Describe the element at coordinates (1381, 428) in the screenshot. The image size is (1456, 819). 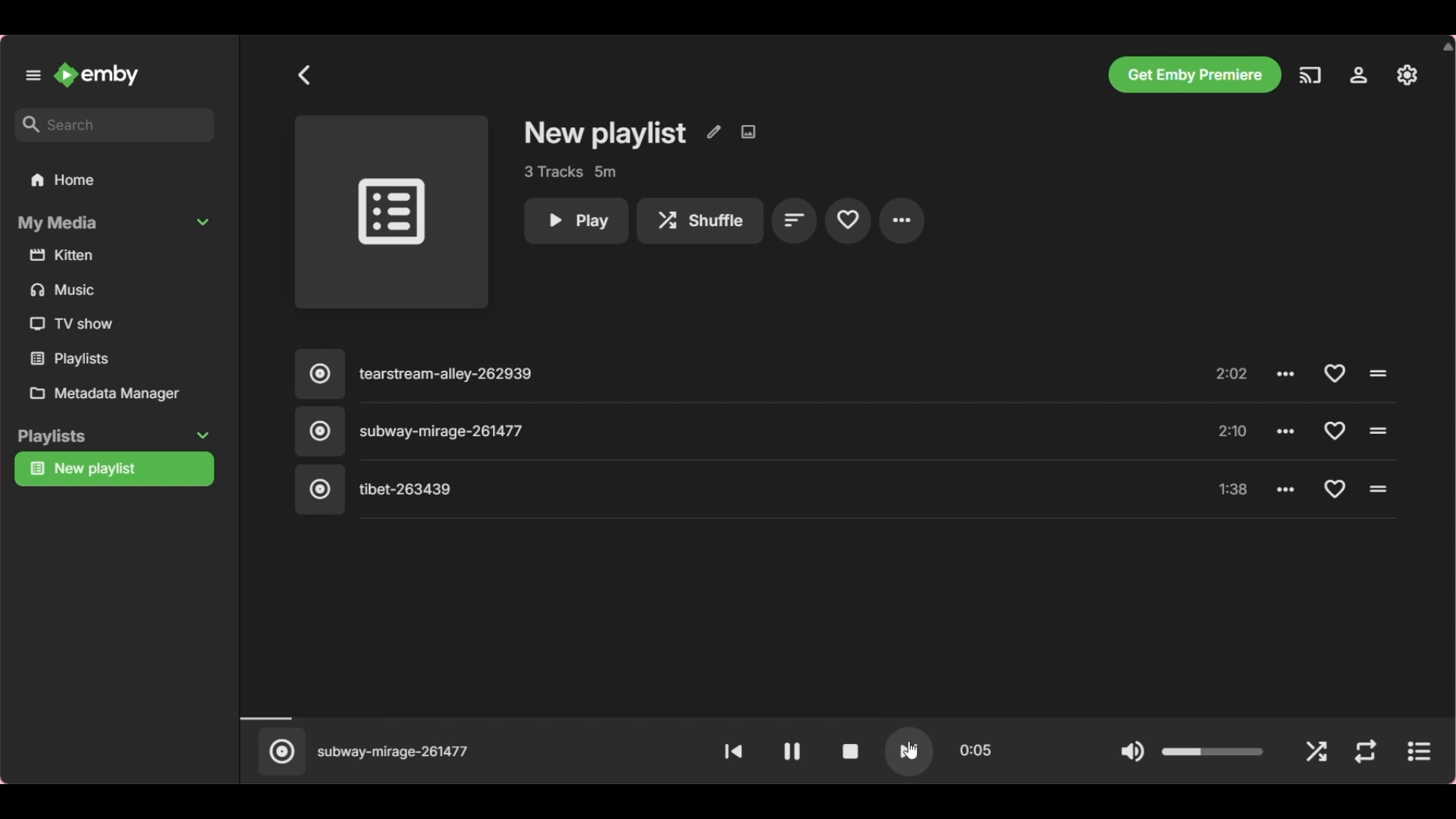
I see `click to play` at that location.